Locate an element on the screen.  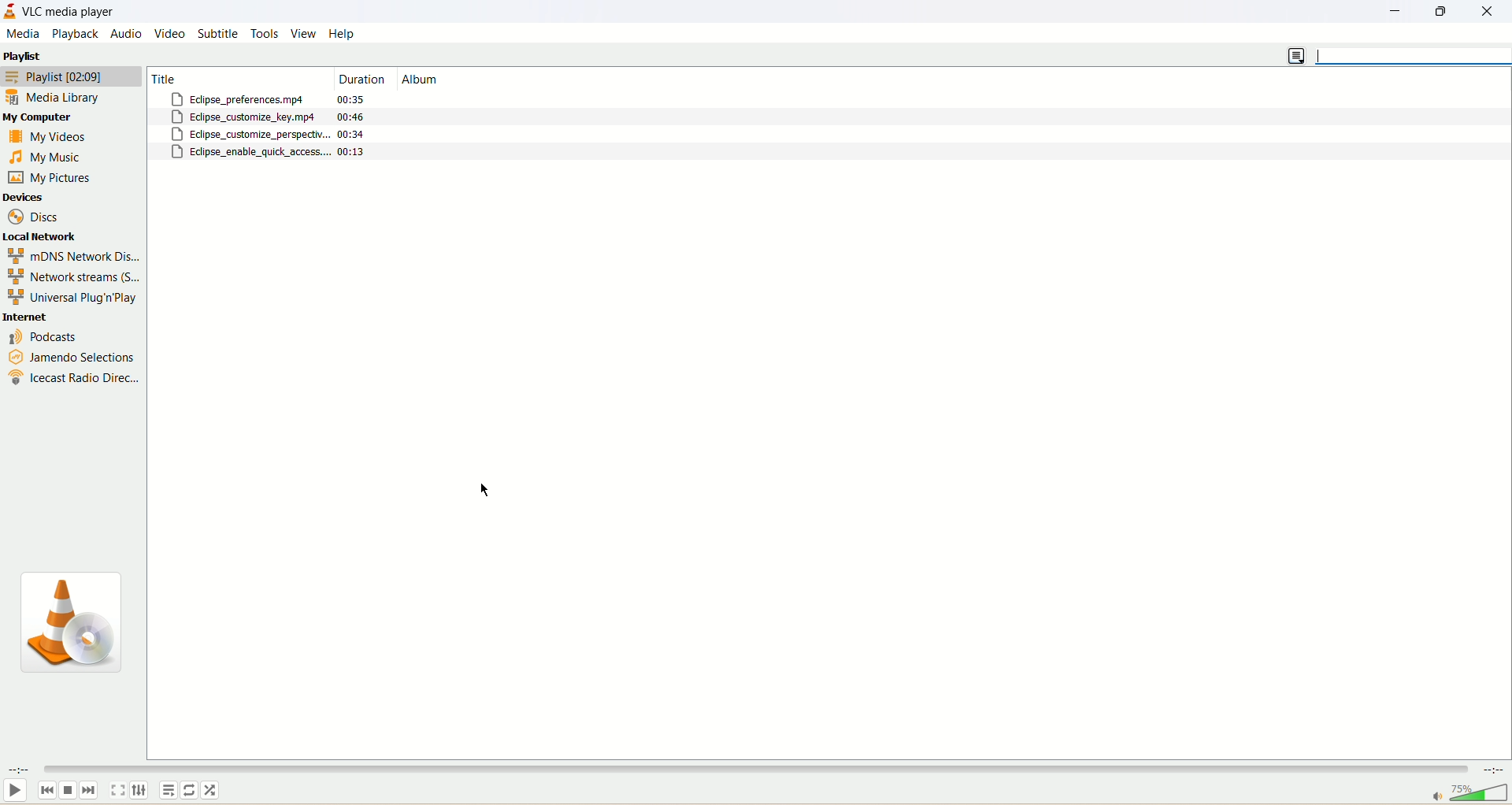
cursor is located at coordinates (487, 489).